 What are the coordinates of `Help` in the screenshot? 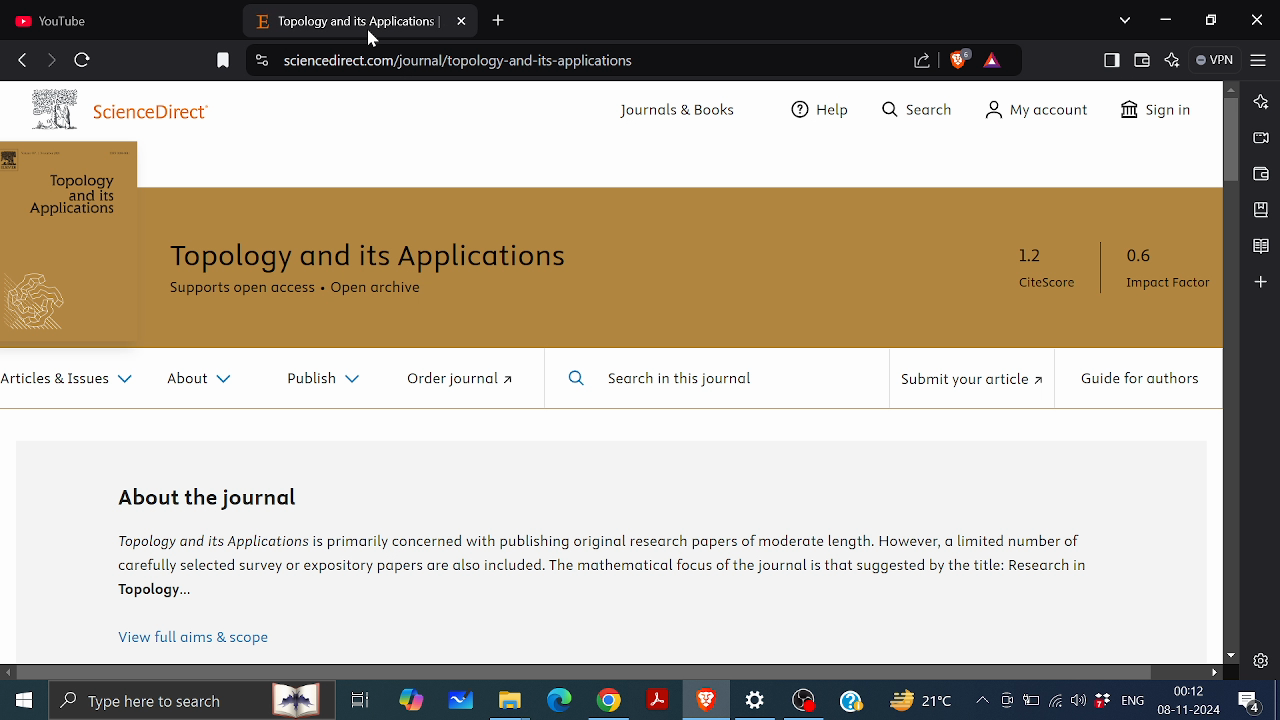 It's located at (851, 700).